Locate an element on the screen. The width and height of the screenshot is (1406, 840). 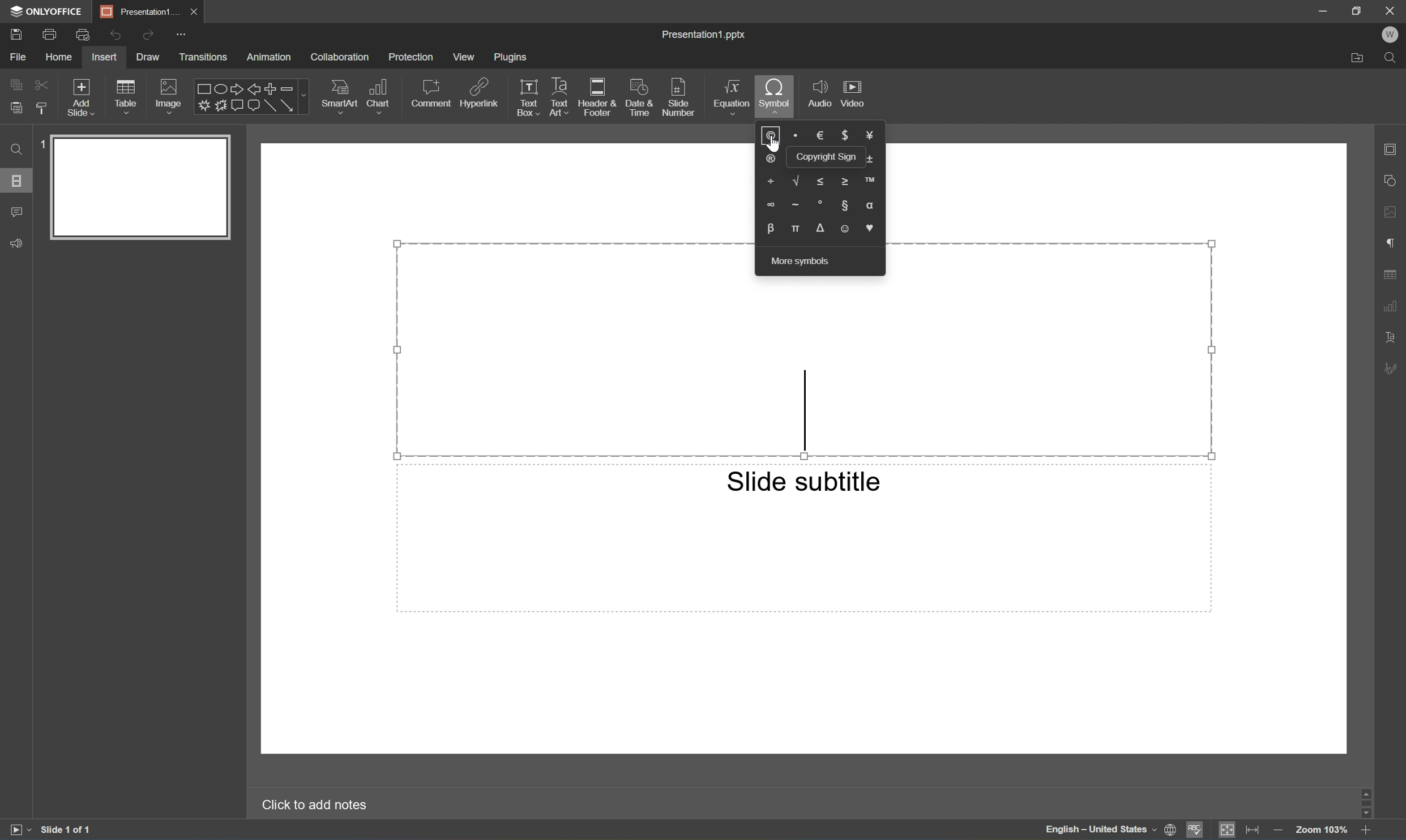
Table settings is located at coordinates (1395, 274).